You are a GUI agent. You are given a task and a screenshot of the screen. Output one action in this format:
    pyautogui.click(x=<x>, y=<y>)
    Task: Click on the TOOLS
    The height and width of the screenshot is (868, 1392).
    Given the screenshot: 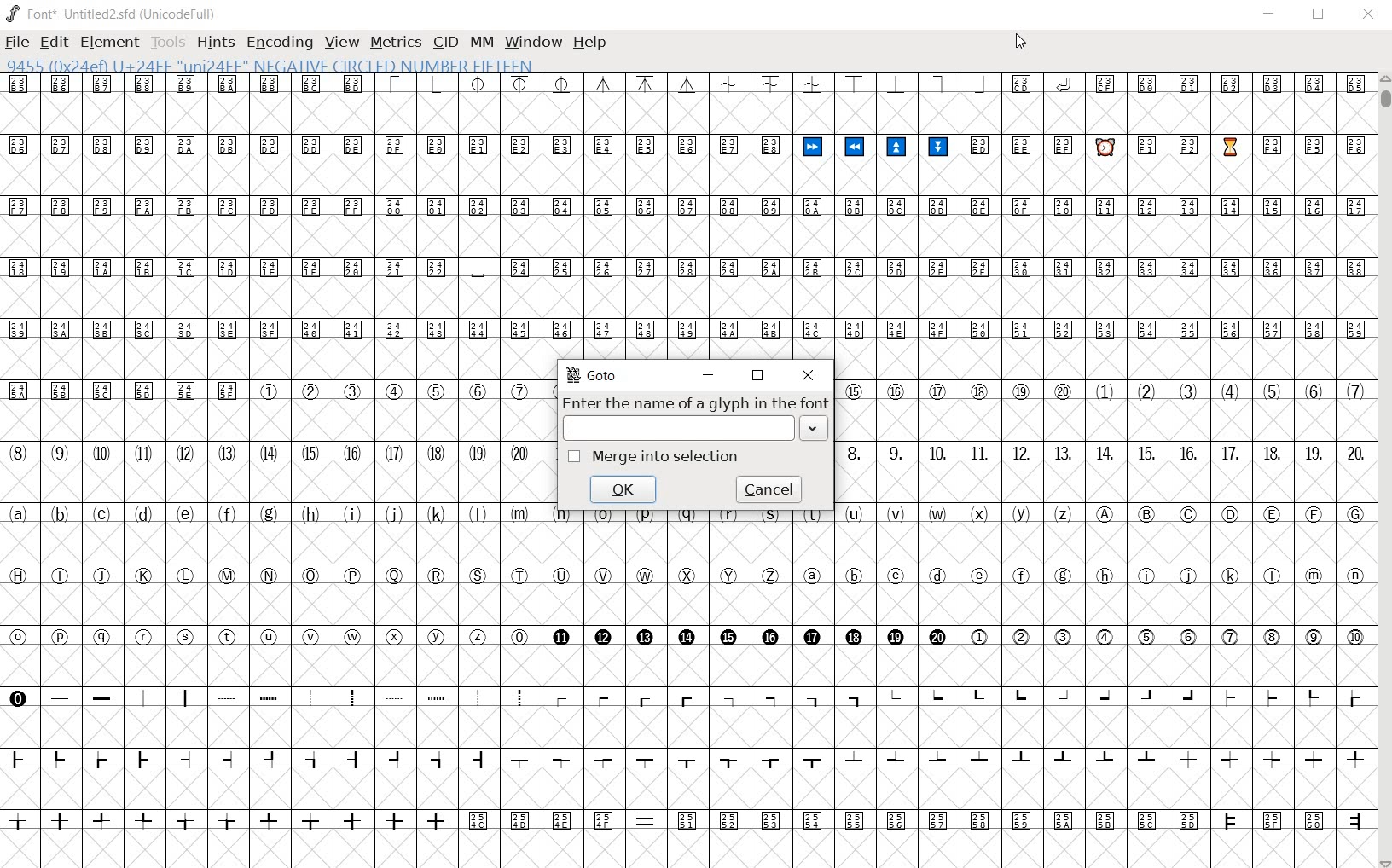 What is the action you would take?
    pyautogui.click(x=169, y=42)
    